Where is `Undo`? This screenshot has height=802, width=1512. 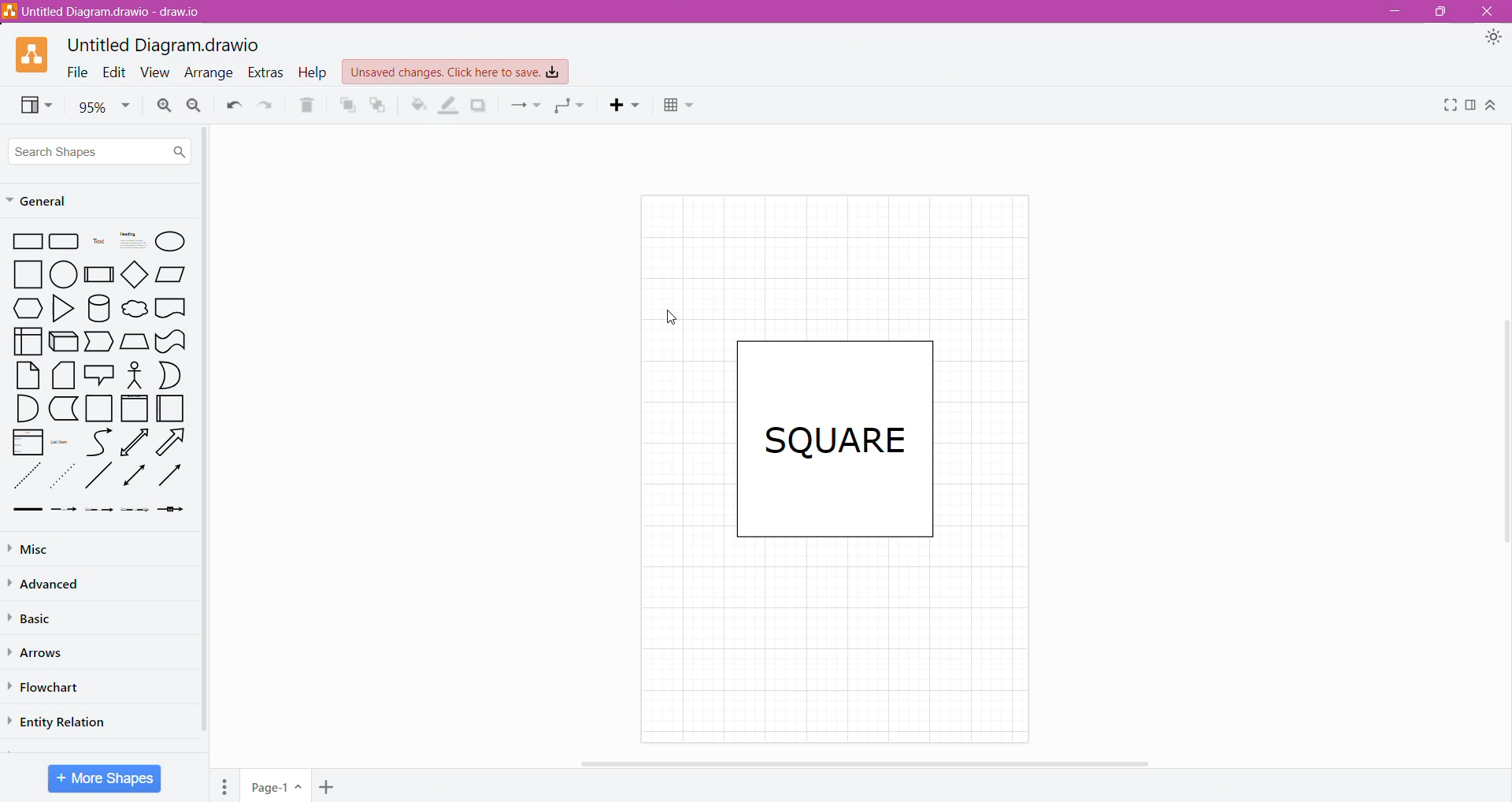
Undo is located at coordinates (234, 106).